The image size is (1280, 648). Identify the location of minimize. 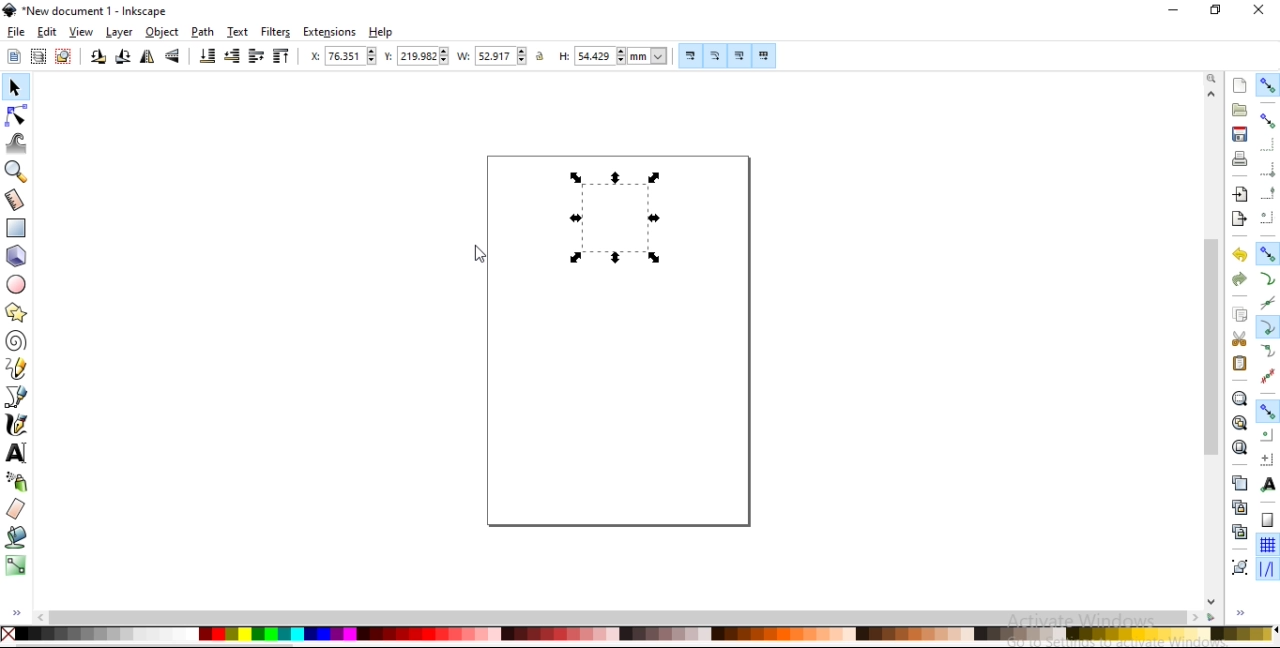
(1171, 9).